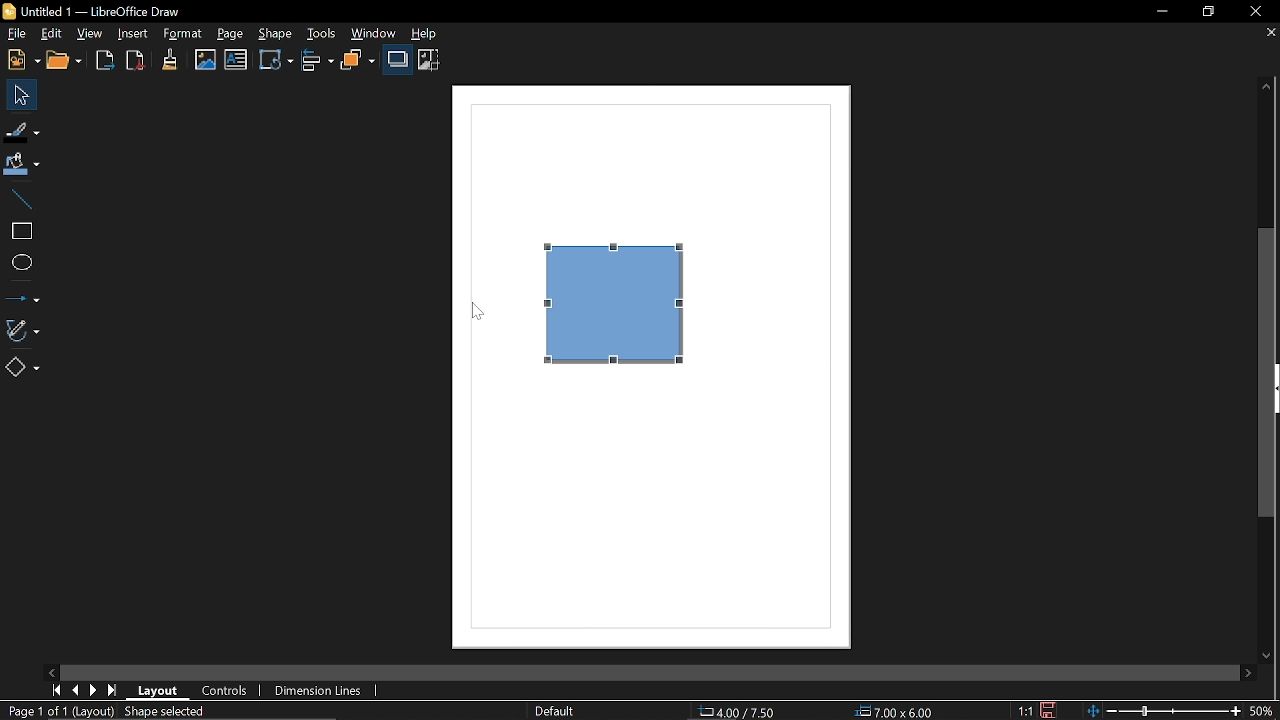  What do you see at coordinates (237, 61) in the screenshot?
I see `Insert text` at bounding box center [237, 61].